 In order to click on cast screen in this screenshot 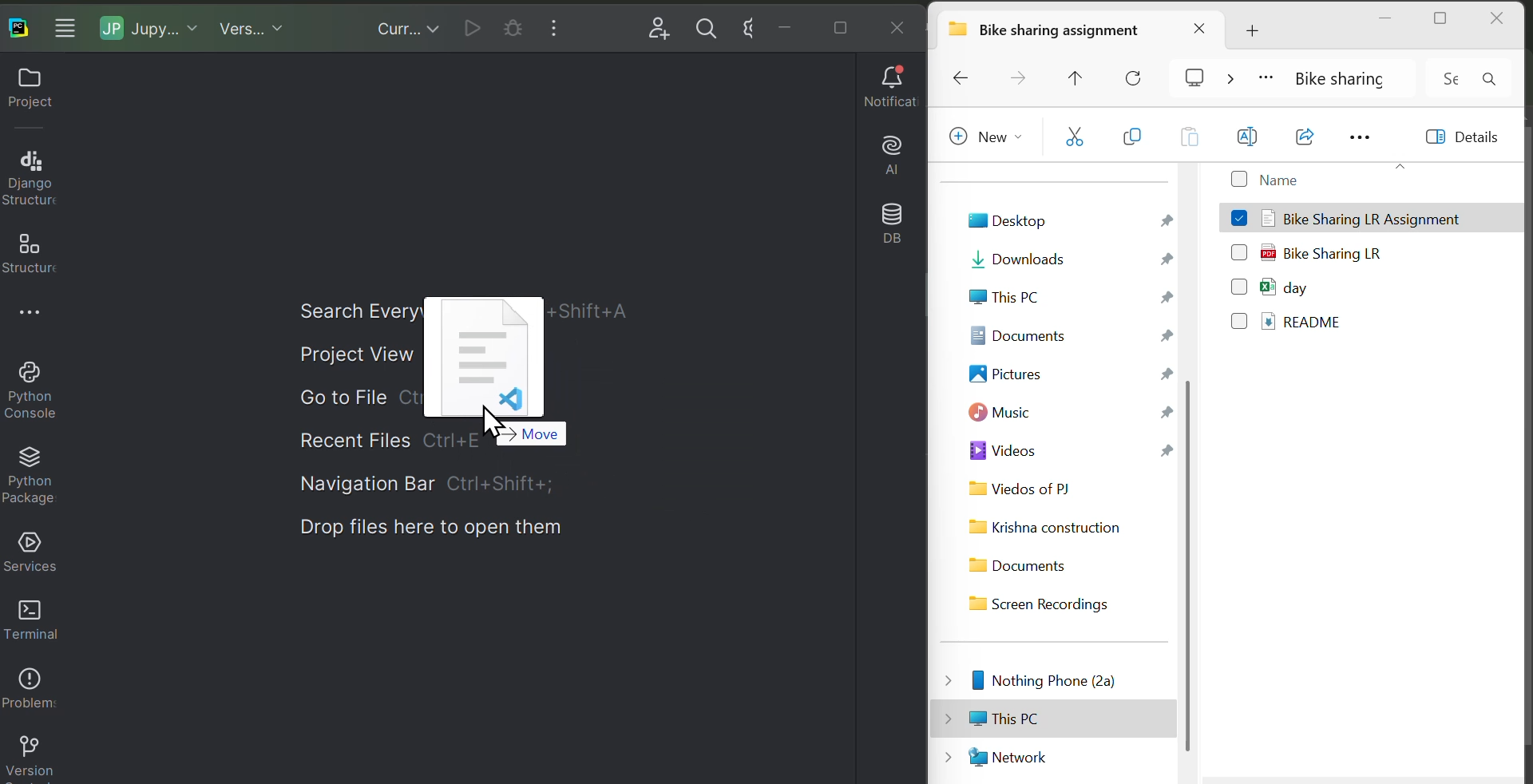, I will do `click(1206, 80)`.